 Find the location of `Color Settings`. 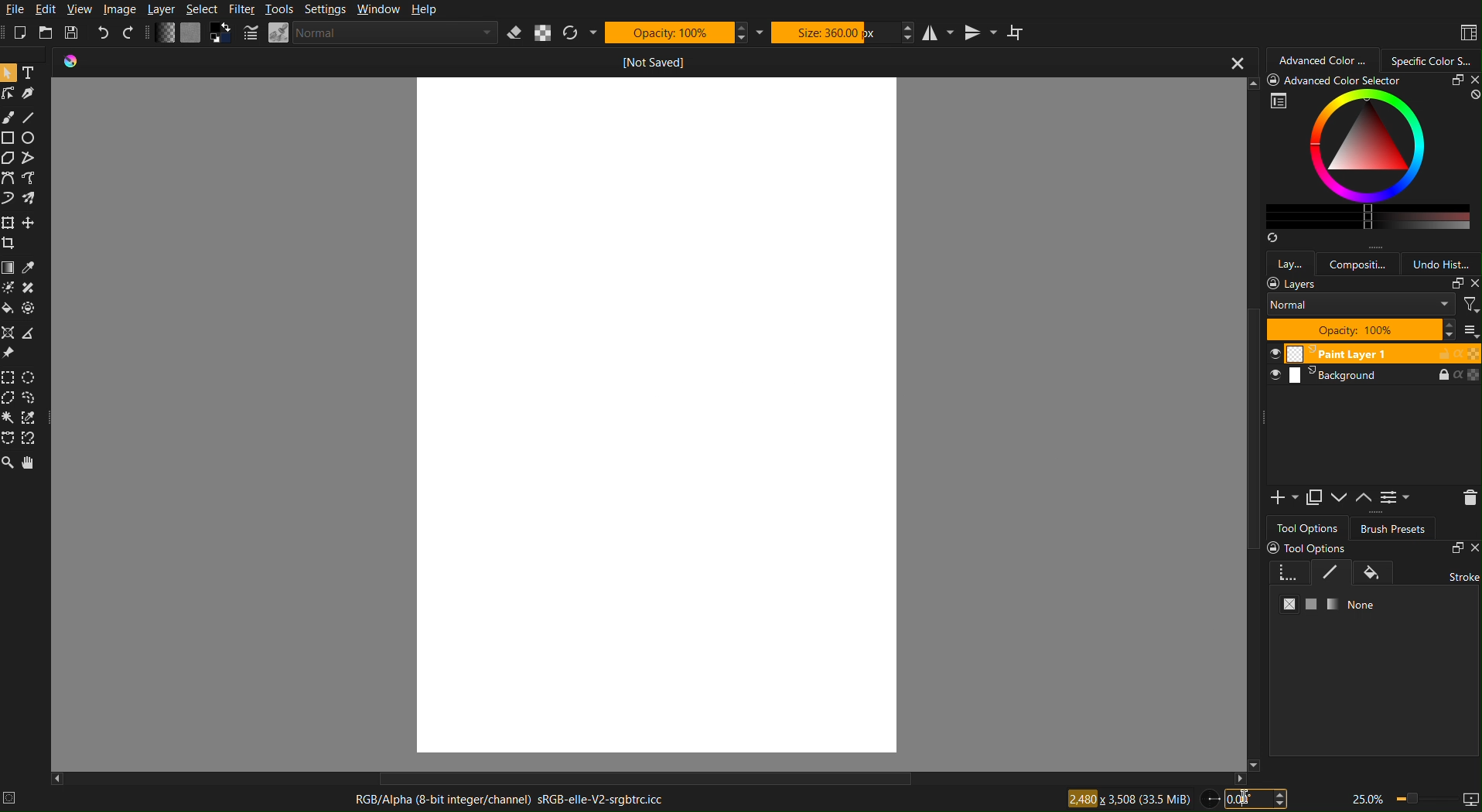

Color Settings is located at coordinates (193, 34).